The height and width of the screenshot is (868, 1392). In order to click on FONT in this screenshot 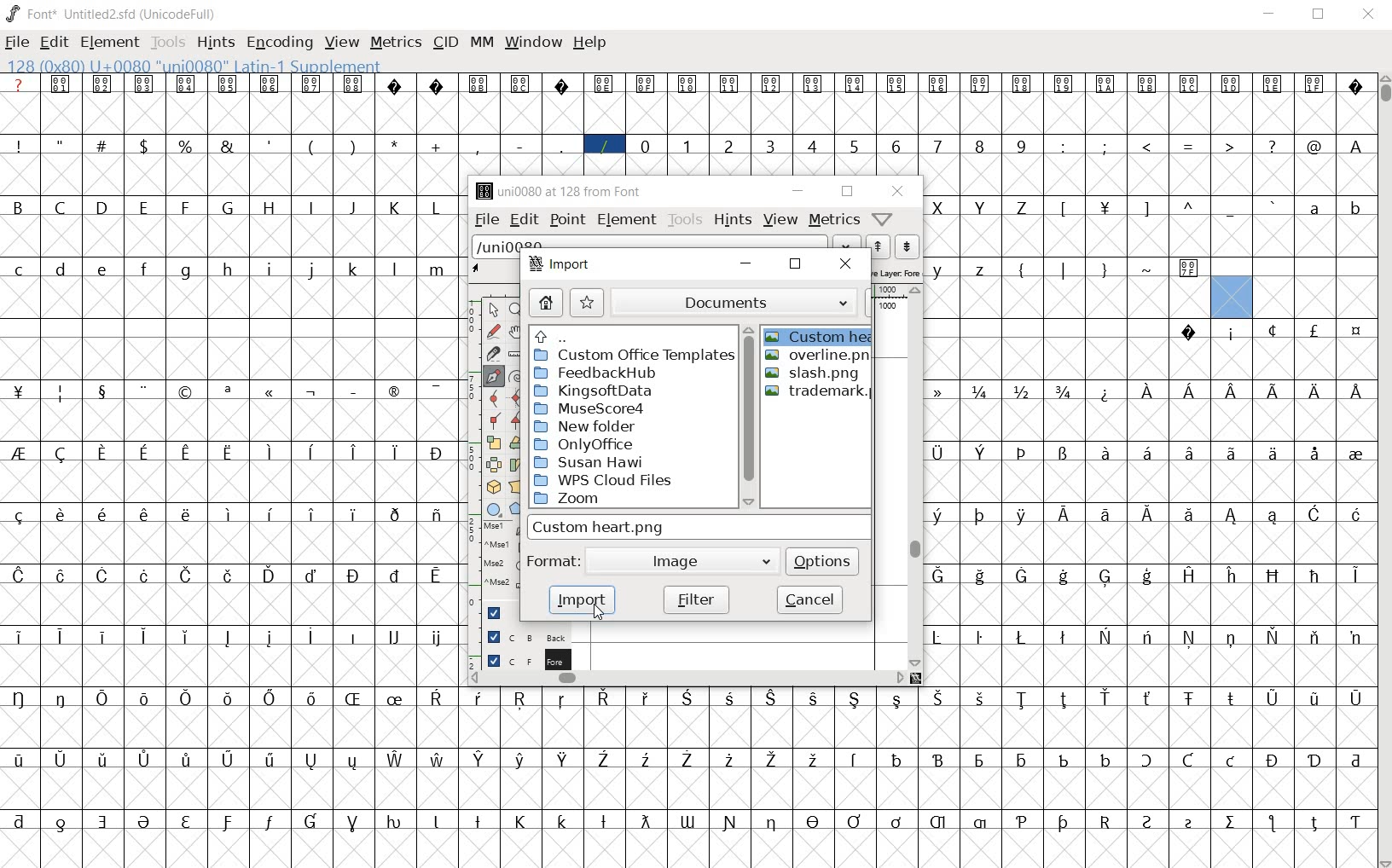, I will do `click(31, 13)`.